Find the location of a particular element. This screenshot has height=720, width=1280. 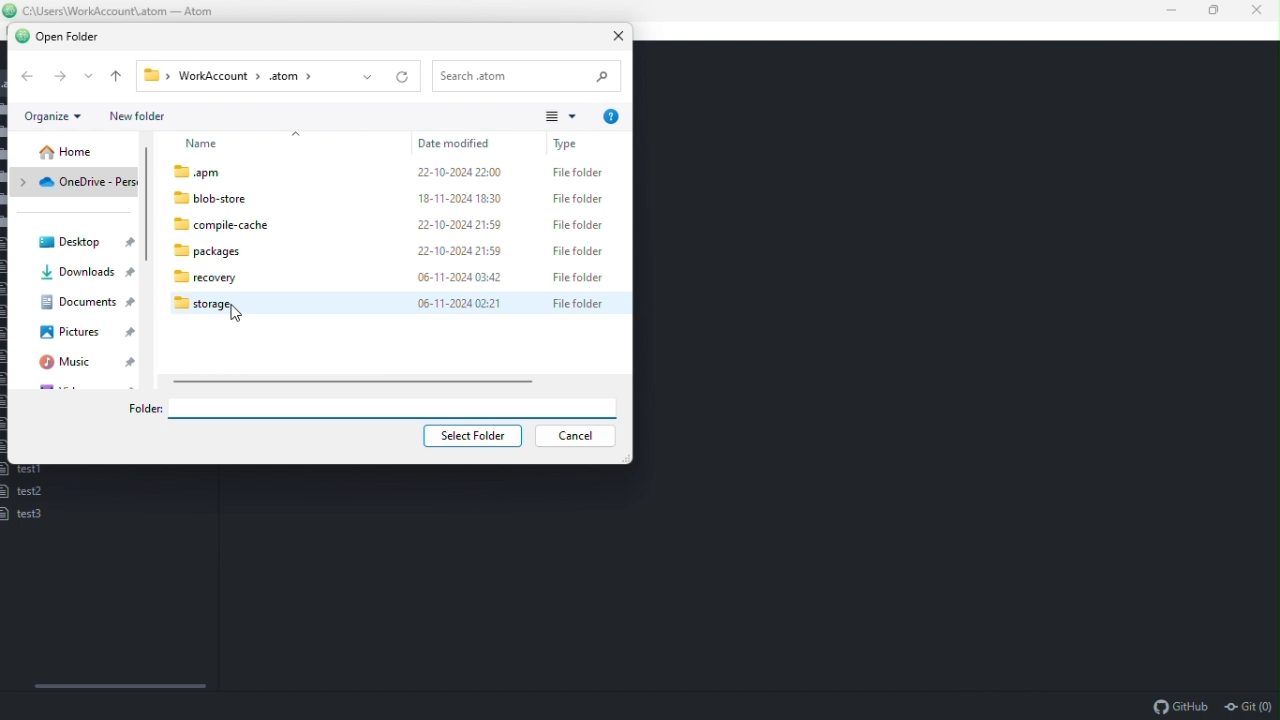

Close is located at coordinates (1259, 9).